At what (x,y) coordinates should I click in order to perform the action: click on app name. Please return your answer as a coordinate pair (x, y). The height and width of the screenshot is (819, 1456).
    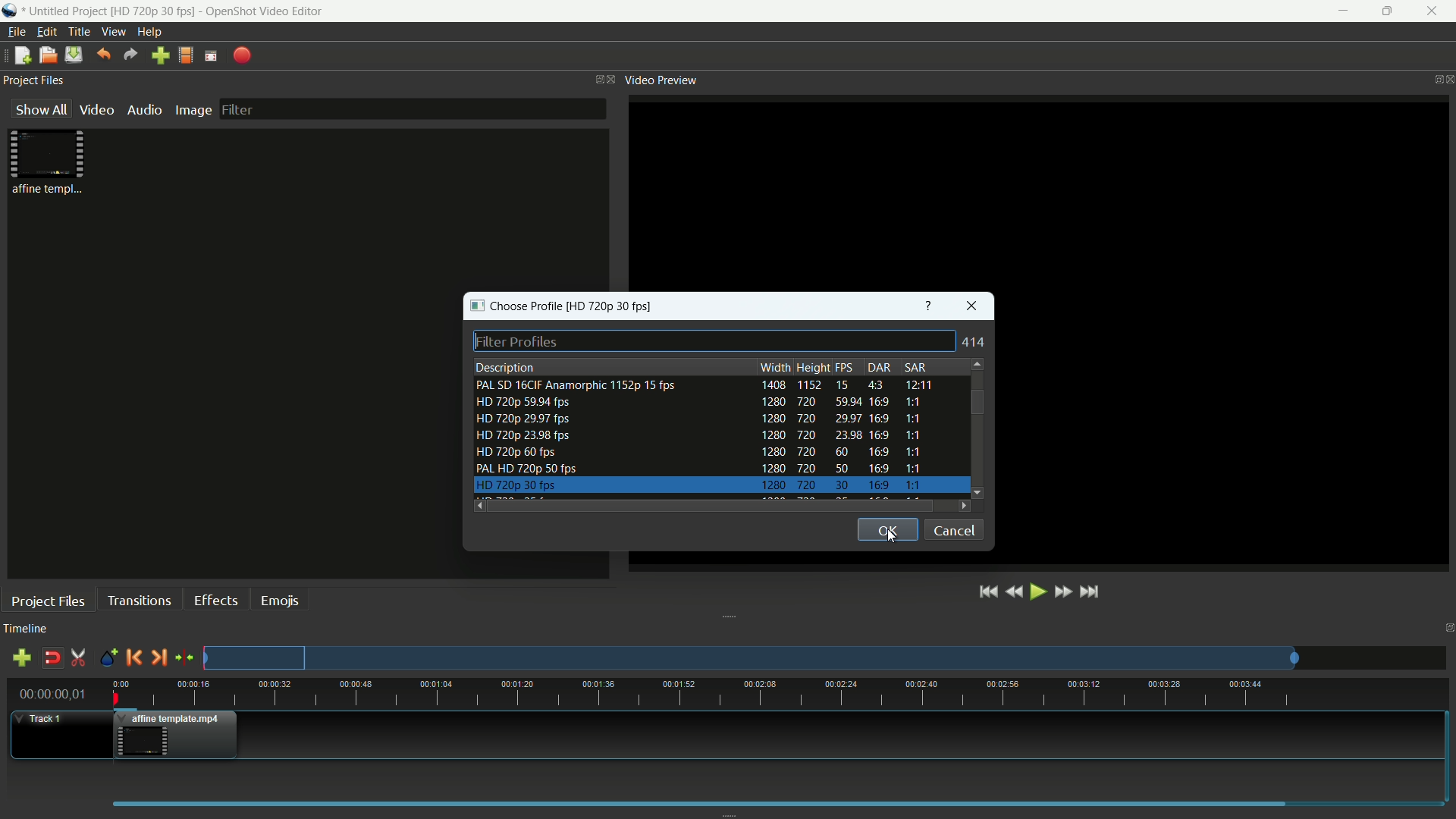
    Looking at the image, I should click on (263, 11).